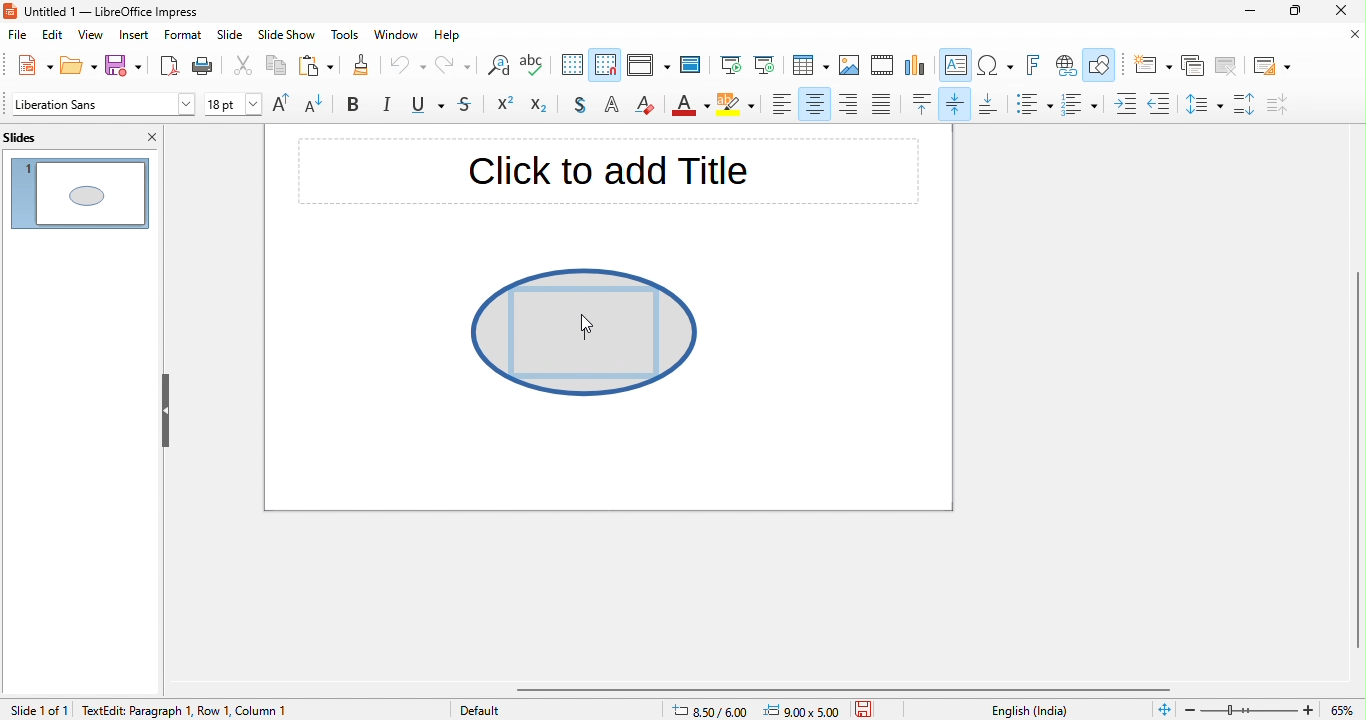  What do you see at coordinates (167, 66) in the screenshot?
I see `export directly as pdf` at bounding box center [167, 66].